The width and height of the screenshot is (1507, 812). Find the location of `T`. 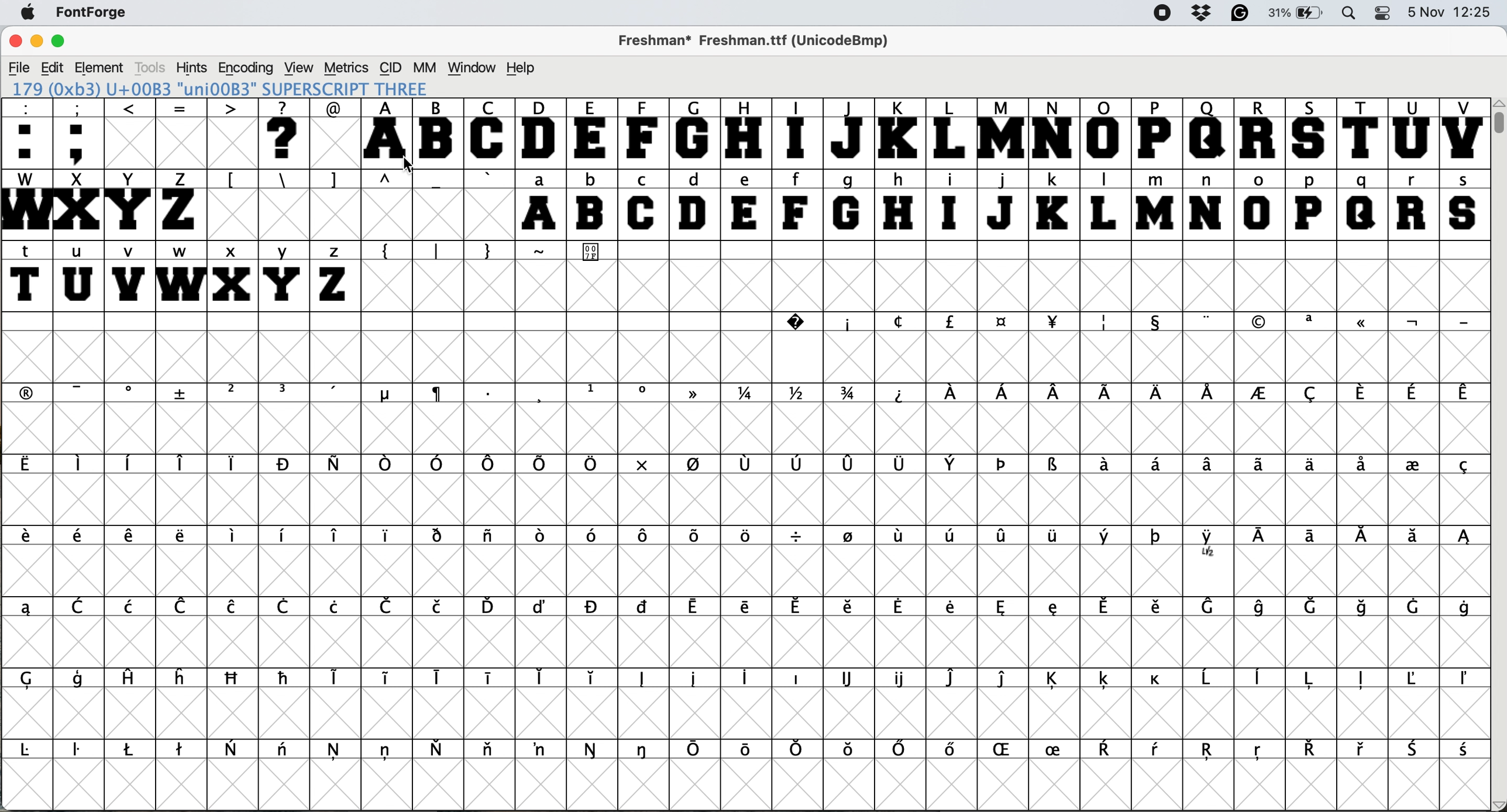

T is located at coordinates (1360, 132).